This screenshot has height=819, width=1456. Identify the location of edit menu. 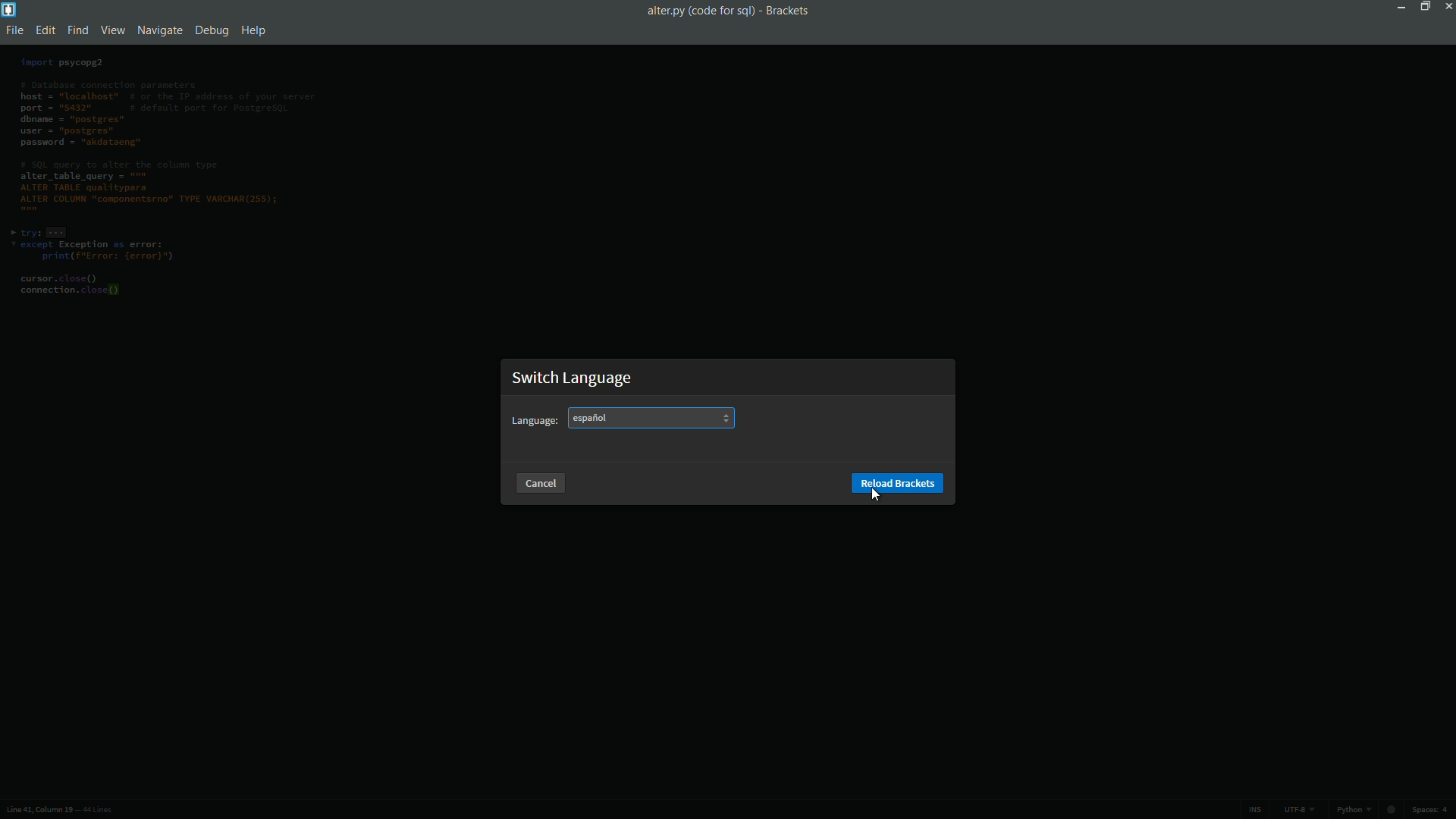
(45, 30).